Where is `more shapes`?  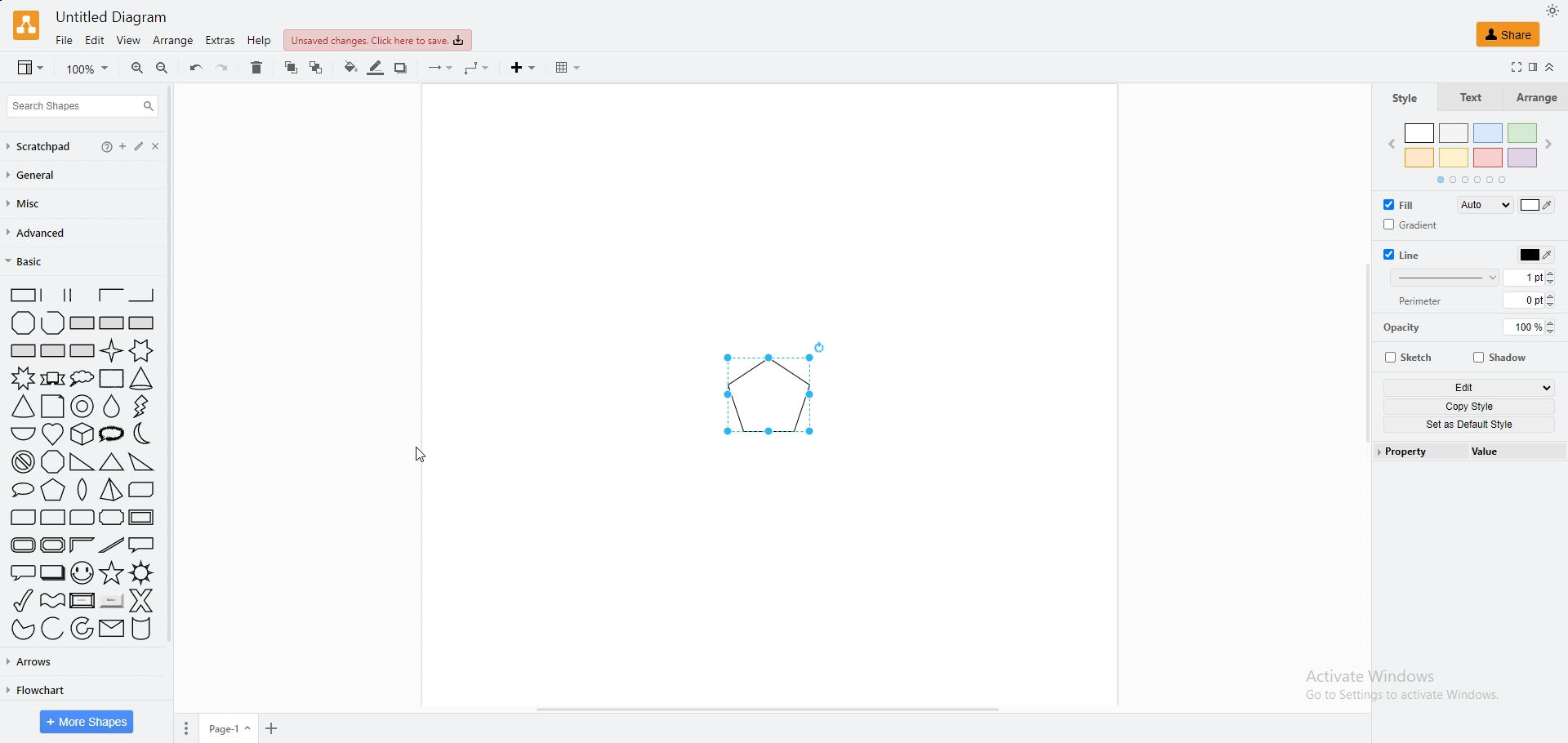 more shapes is located at coordinates (87, 722).